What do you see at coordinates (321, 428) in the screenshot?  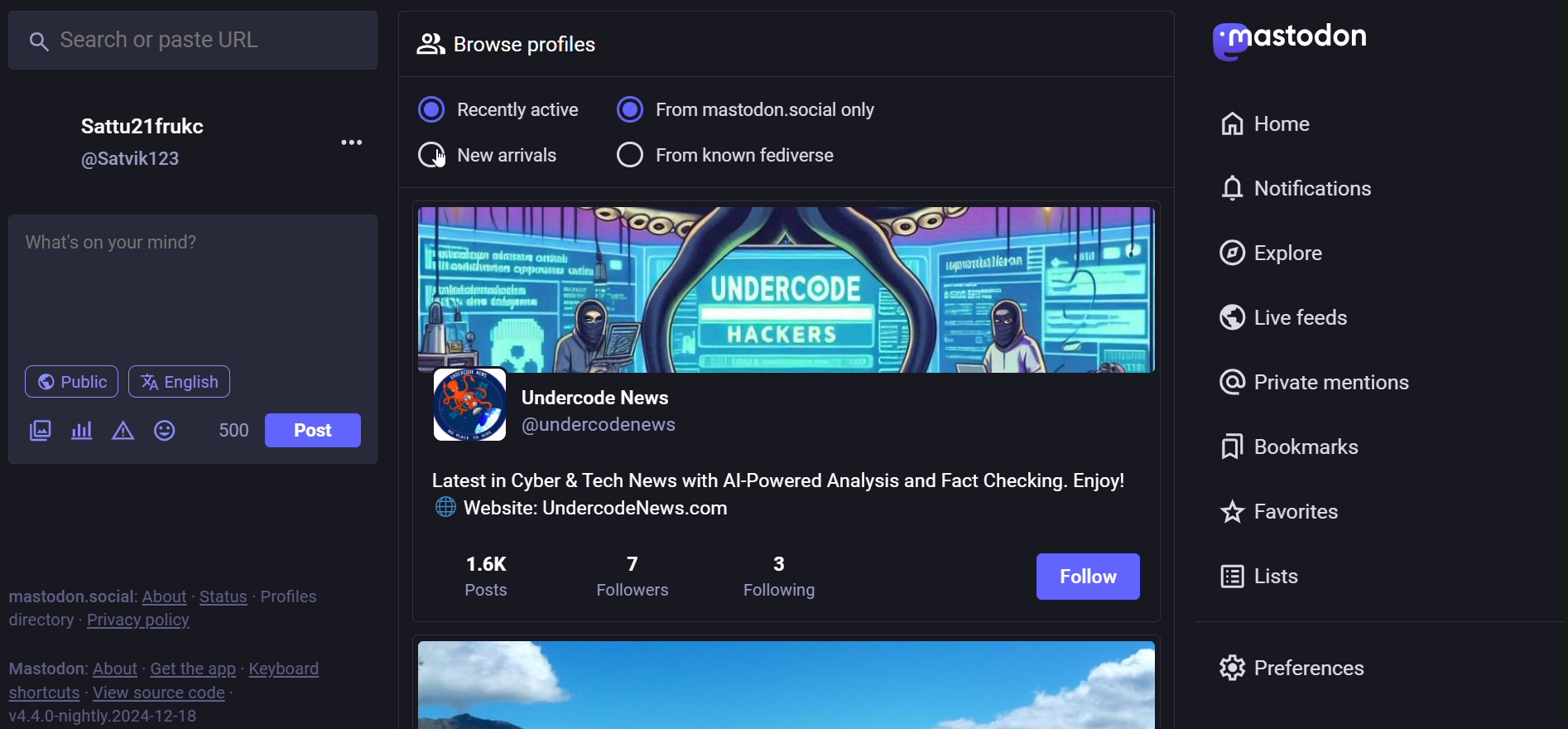 I see `post` at bounding box center [321, 428].